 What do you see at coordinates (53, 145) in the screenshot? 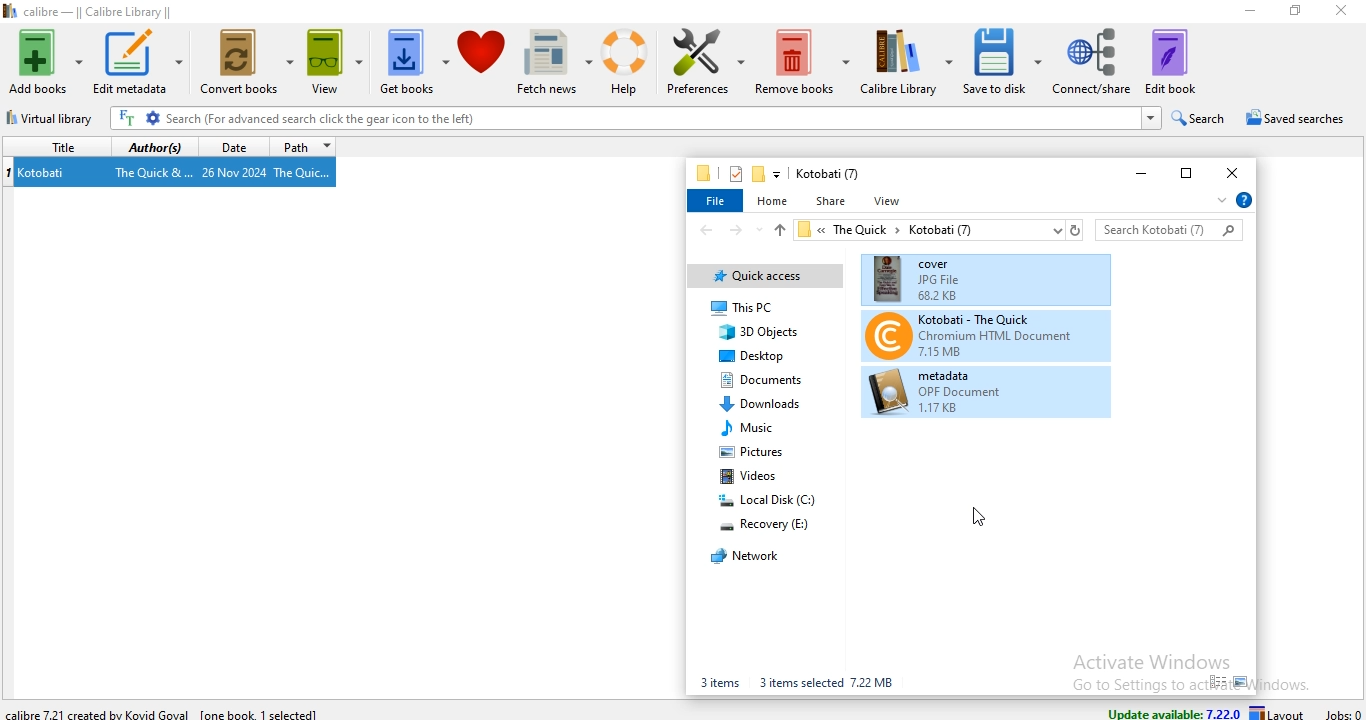
I see `title` at bounding box center [53, 145].